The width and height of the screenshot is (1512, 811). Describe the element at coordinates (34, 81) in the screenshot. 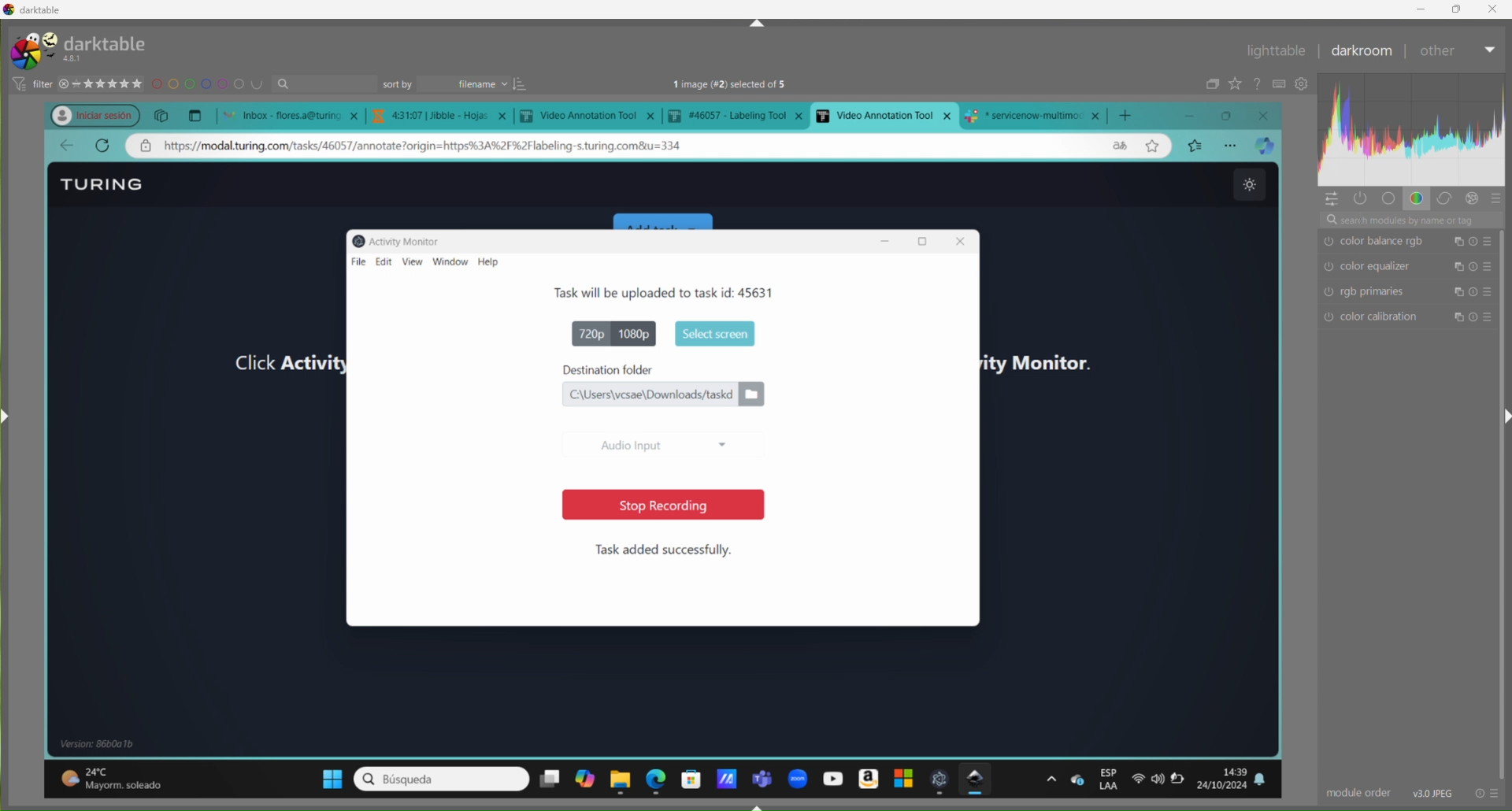

I see `filter` at that location.